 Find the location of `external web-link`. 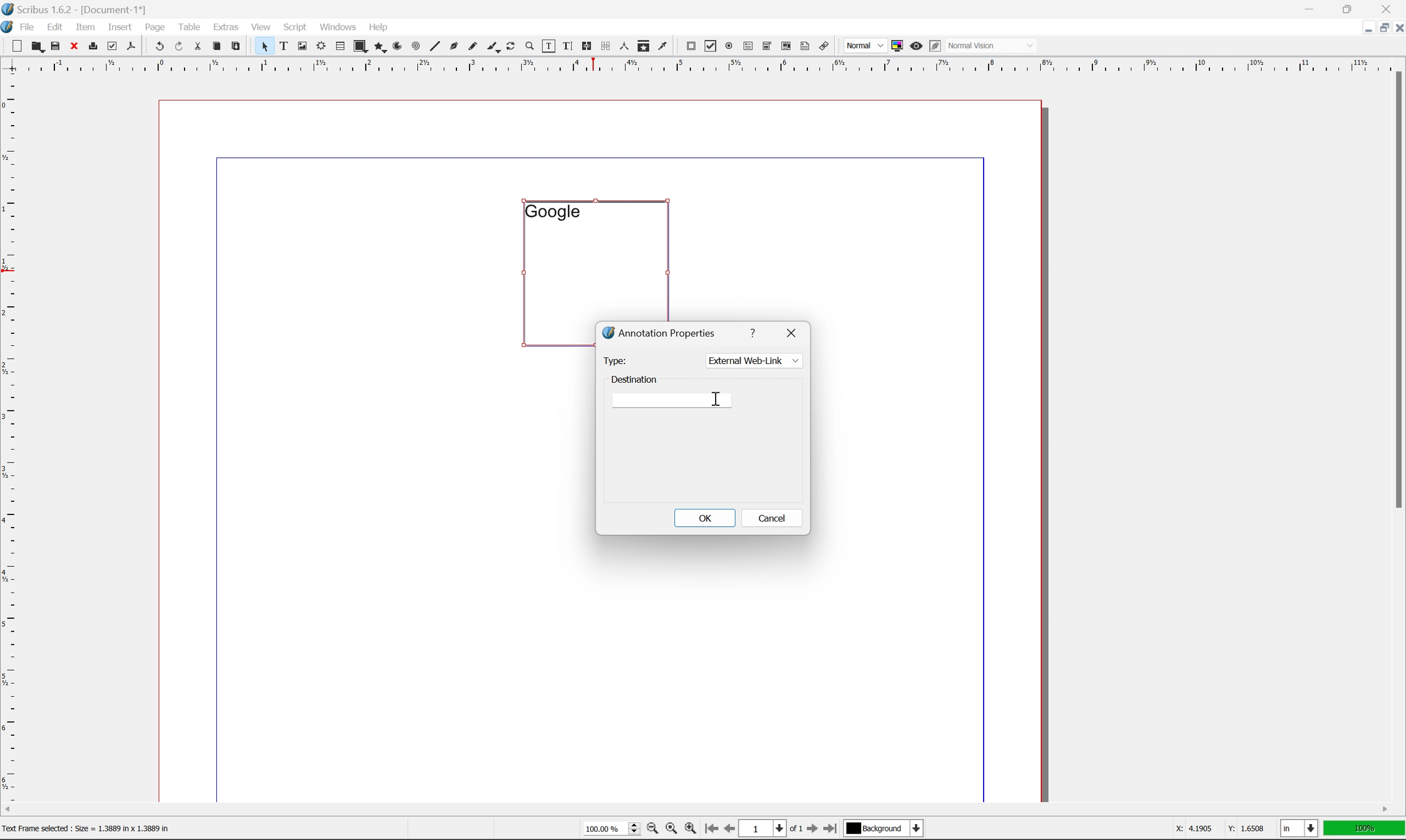

external web-link is located at coordinates (753, 361).